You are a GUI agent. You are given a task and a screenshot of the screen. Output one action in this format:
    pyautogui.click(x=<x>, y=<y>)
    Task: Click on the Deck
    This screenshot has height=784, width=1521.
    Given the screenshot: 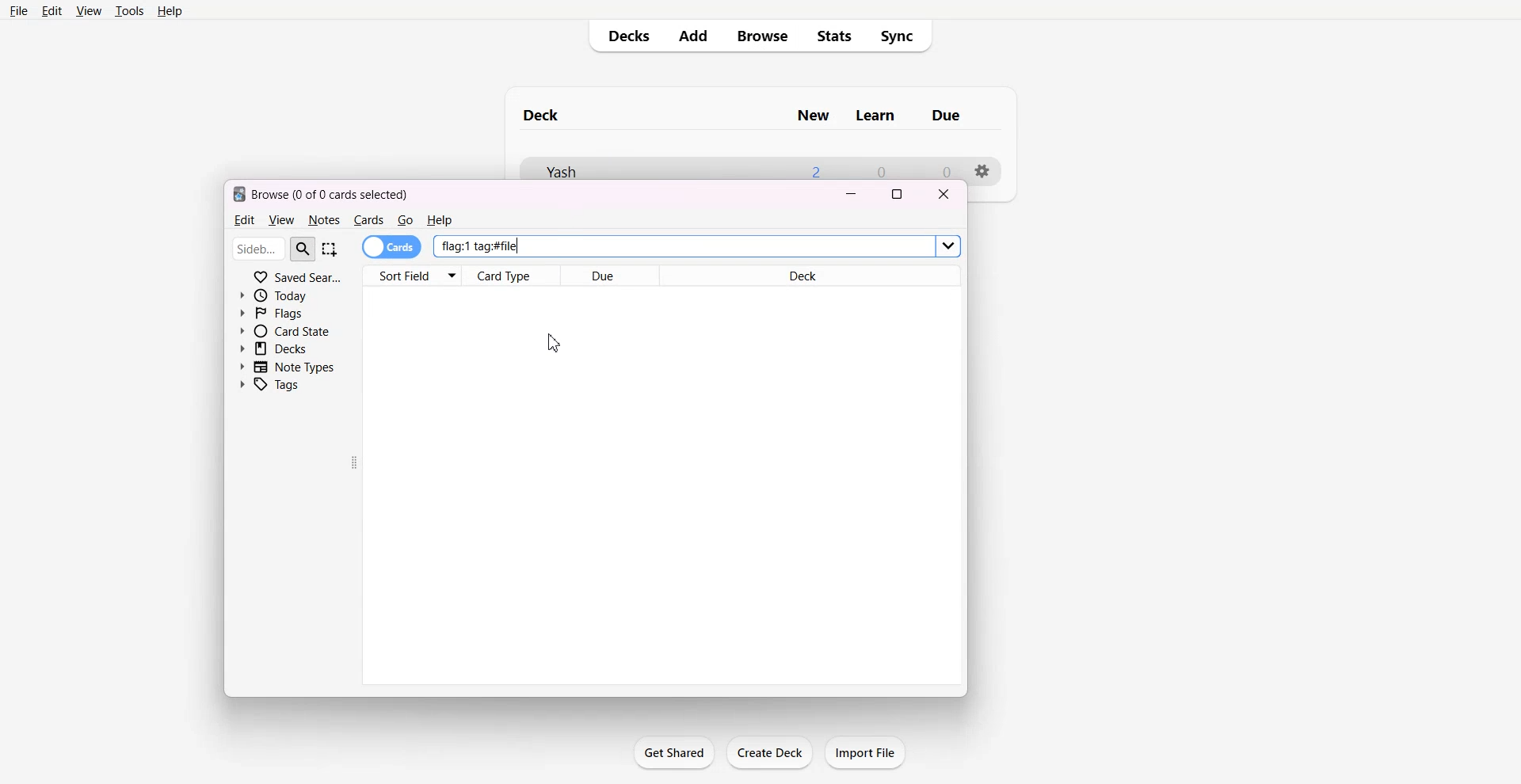 What is the action you would take?
    pyautogui.click(x=810, y=276)
    